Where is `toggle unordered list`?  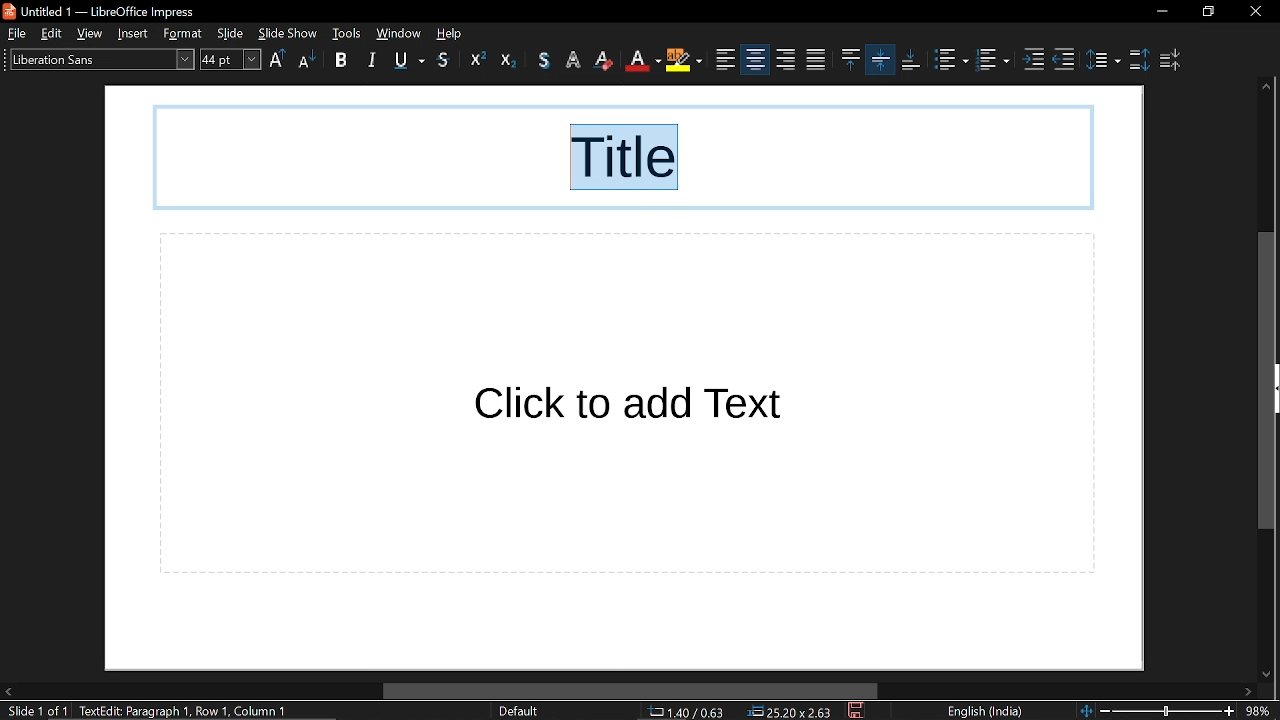 toggle unordered list is located at coordinates (950, 60).